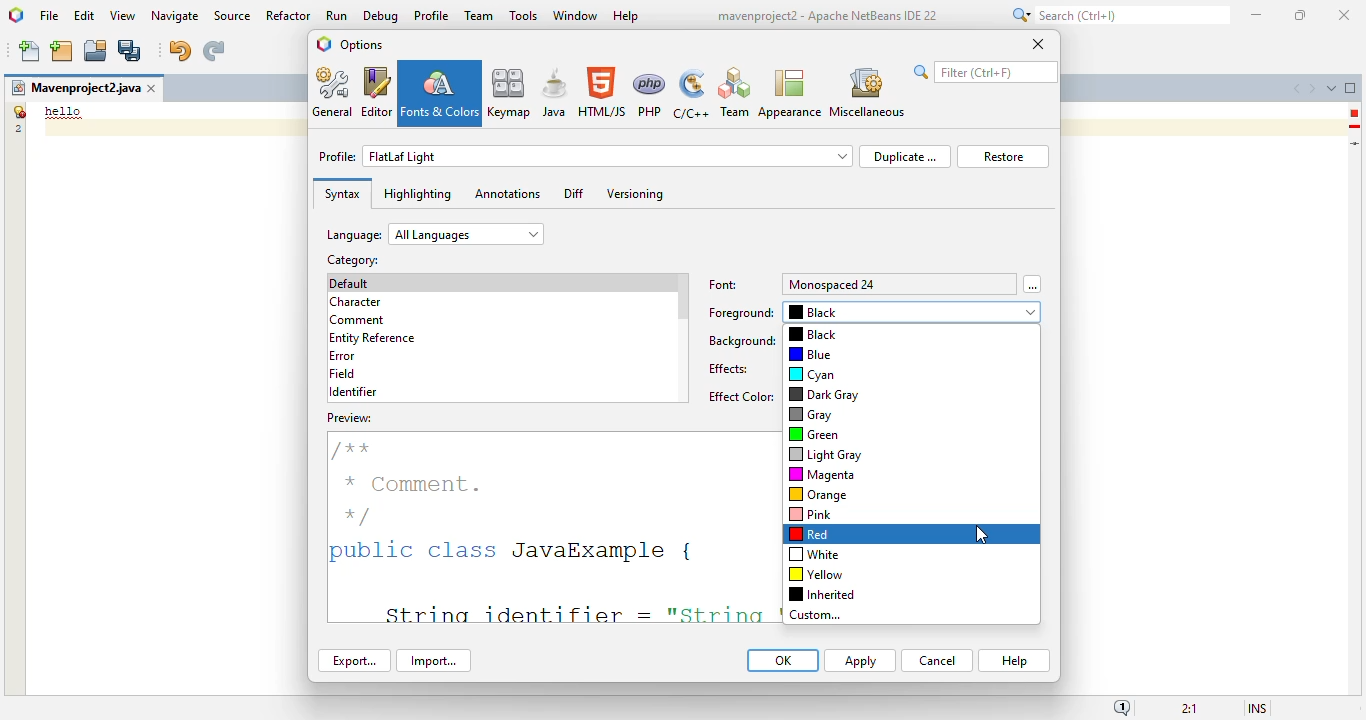  What do you see at coordinates (811, 534) in the screenshot?
I see `red` at bounding box center [811, 534].